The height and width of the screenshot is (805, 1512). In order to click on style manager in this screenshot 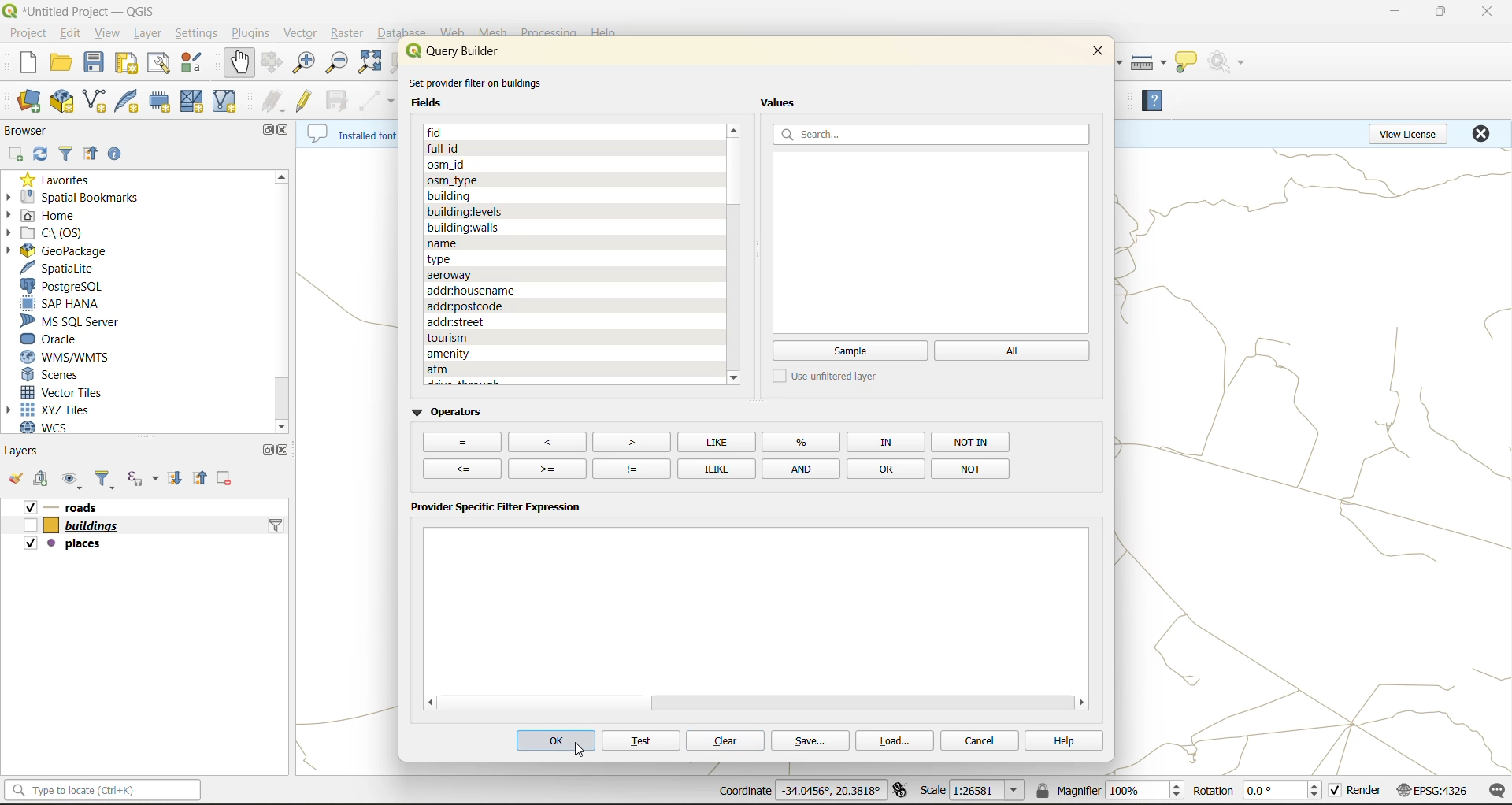, I will do `click(192, 65)`.